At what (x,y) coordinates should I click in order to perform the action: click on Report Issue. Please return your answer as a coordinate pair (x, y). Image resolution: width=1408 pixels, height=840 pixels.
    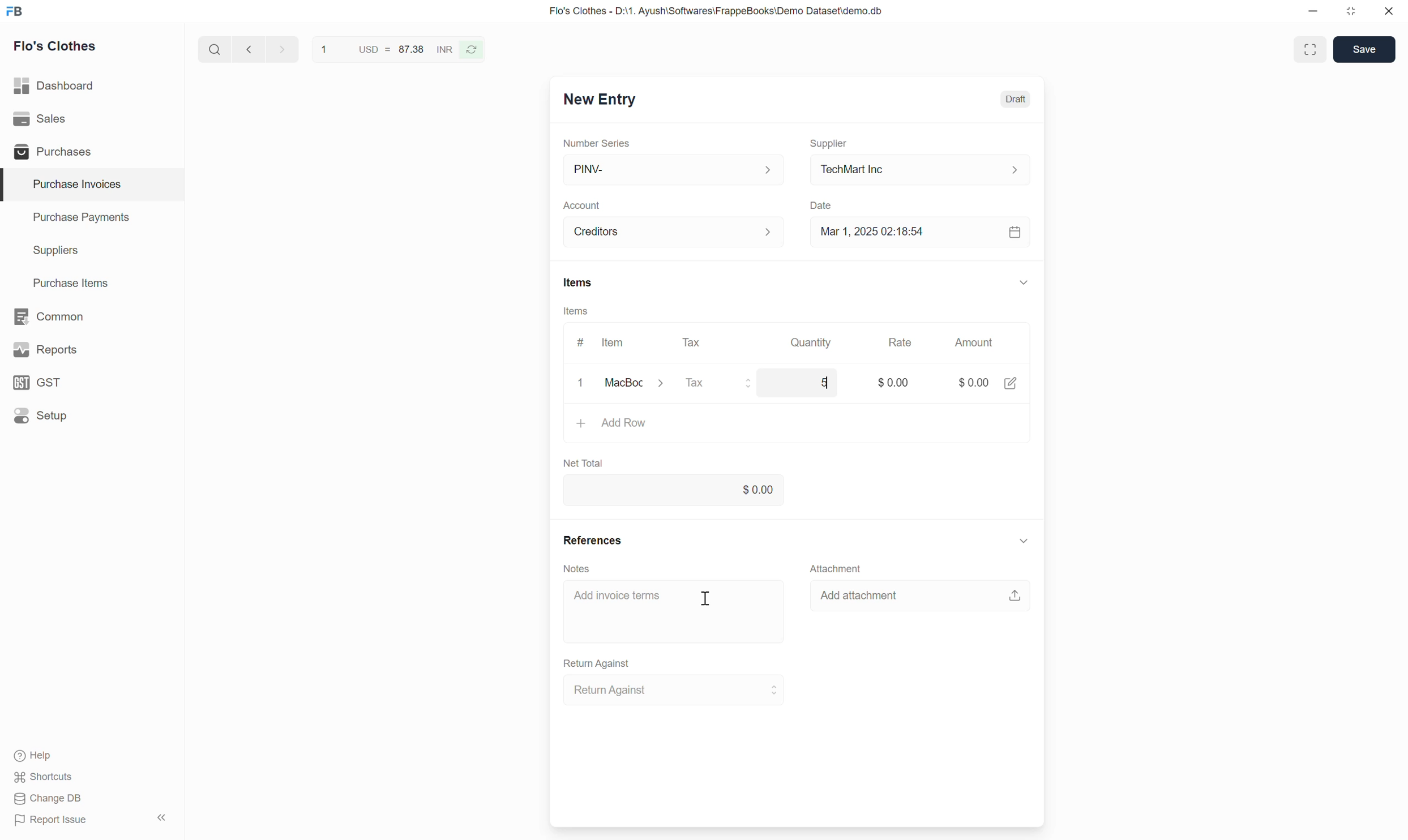
    Looking at the image, I should click on (52, 820).